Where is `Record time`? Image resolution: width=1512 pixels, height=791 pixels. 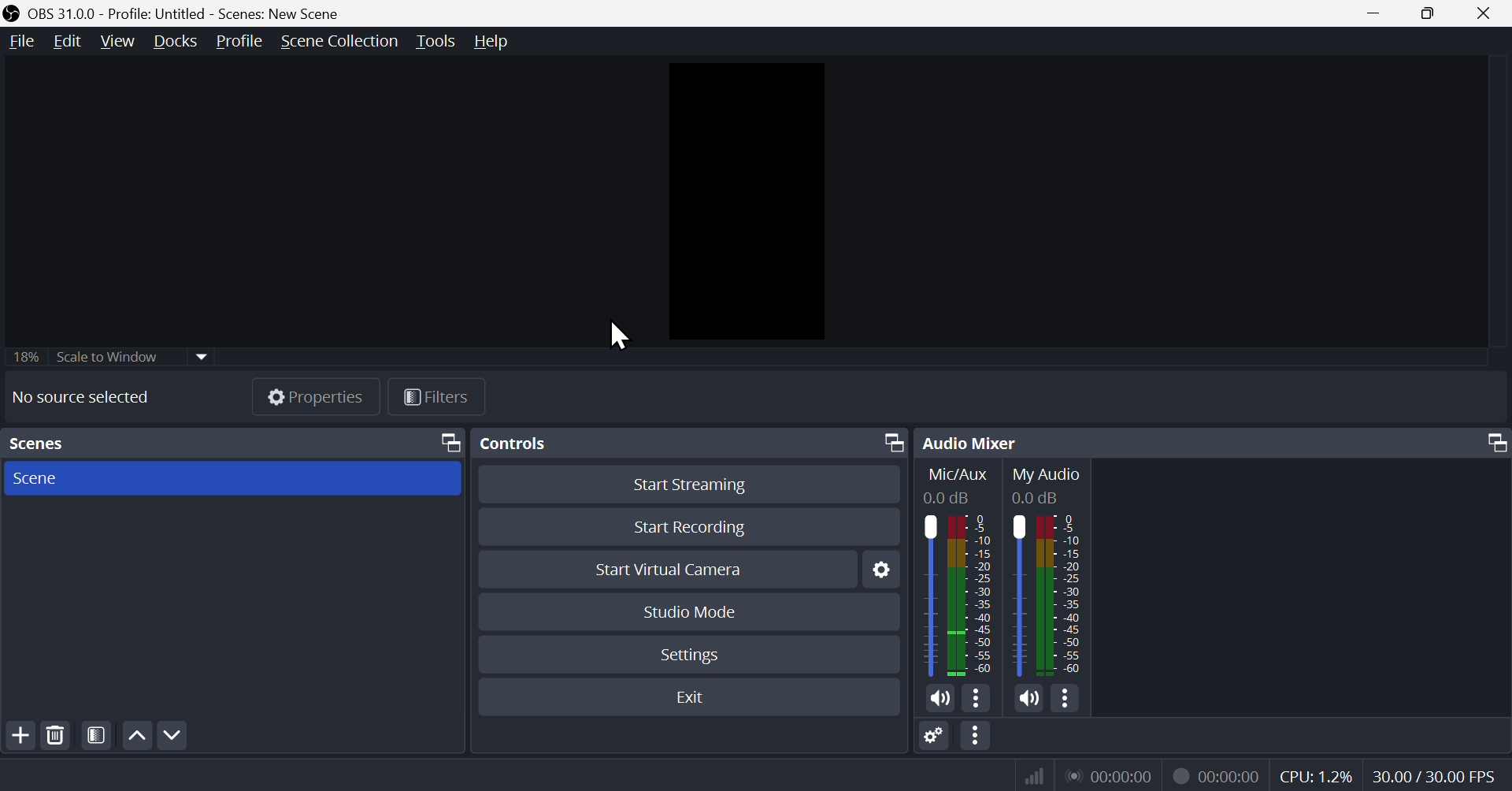 Record time is located at coordinates (1218, 774).